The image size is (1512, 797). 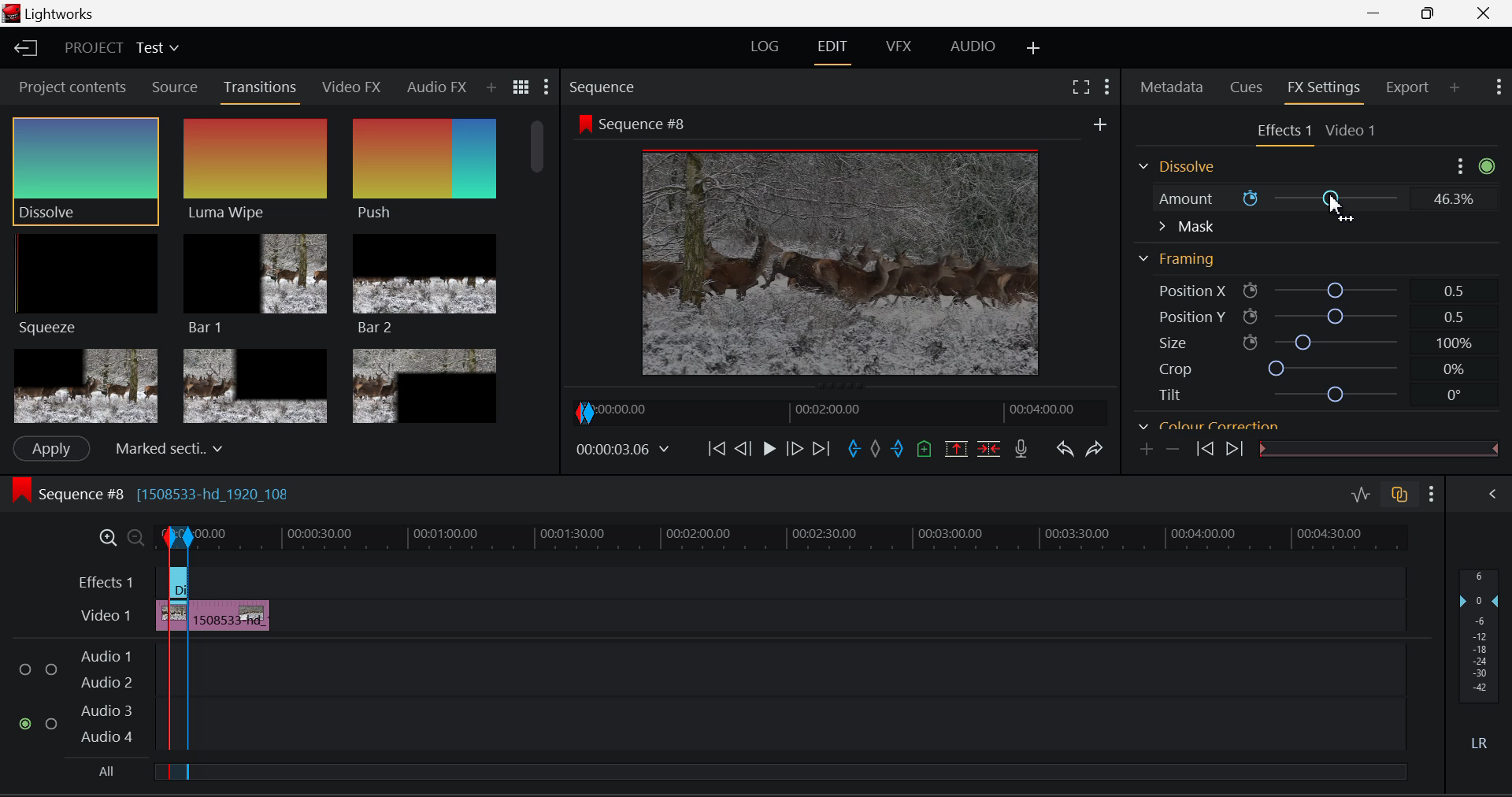 What do you see at coordinates (521, 87) in the screenshot?
I see `Toggle between list and title view` at bounding box center [521, 87].